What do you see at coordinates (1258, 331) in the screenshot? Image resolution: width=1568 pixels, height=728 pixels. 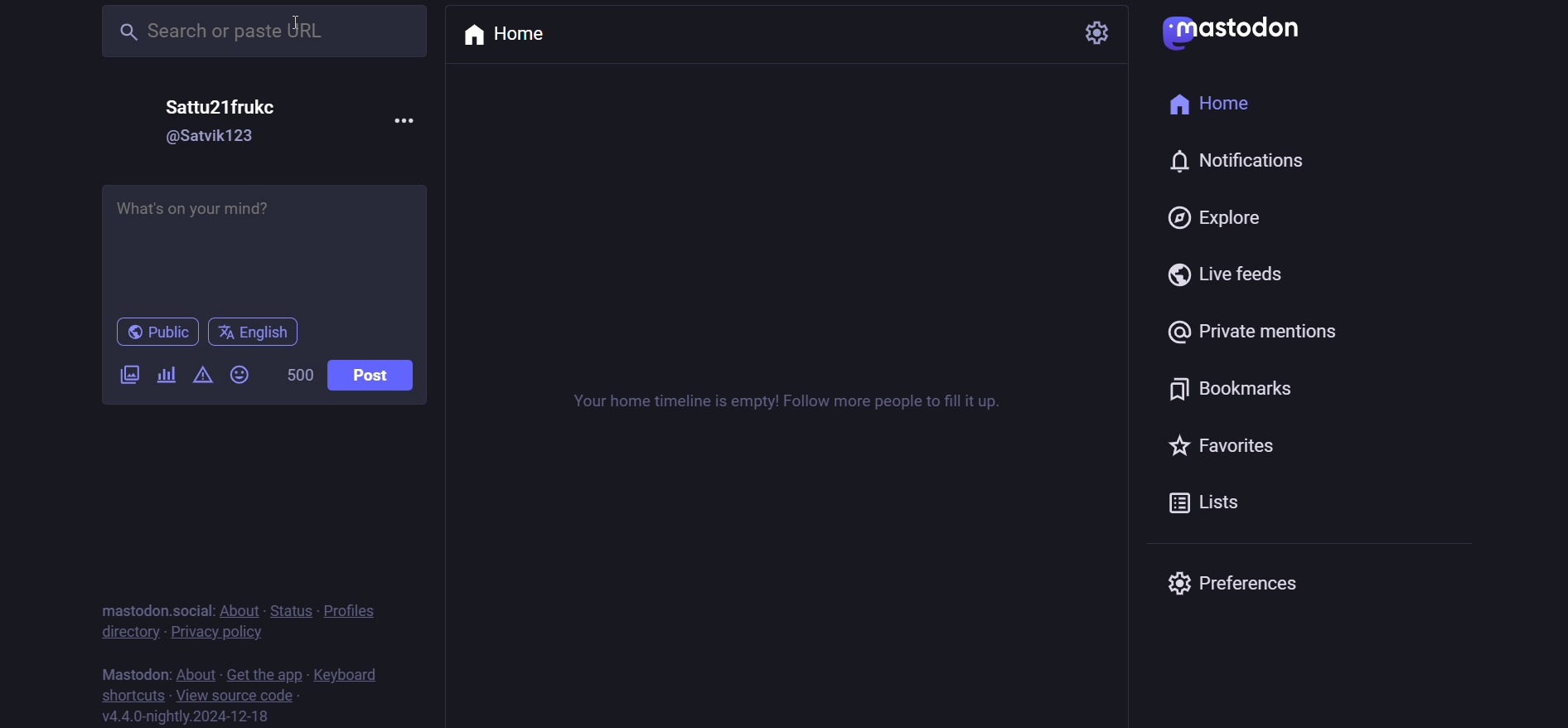 I see `private mention` at bounding box center [1258, 331].